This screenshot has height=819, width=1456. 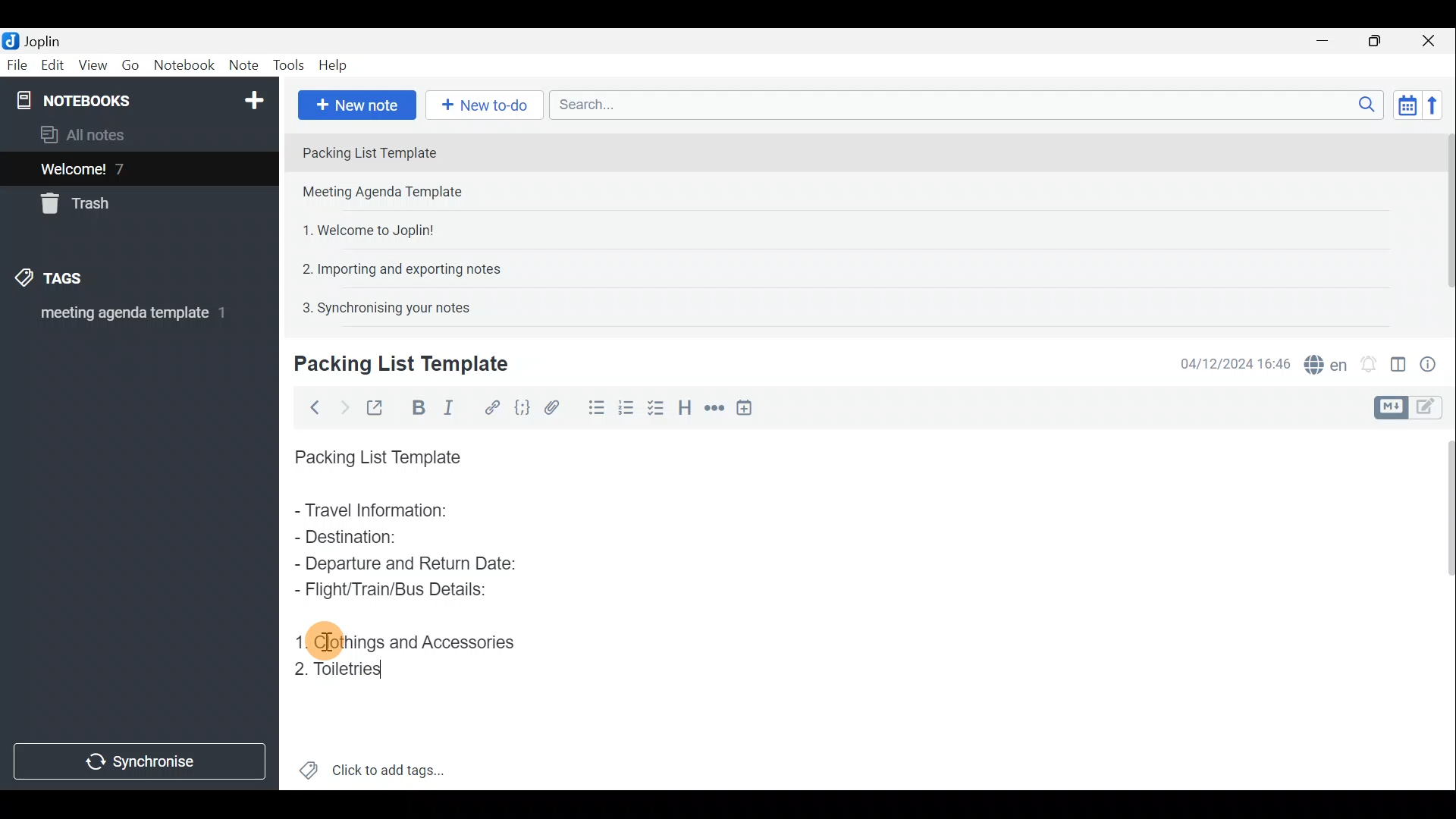 What do you see at coordinates (394, 266) in the screenshot?
I see `Note 4` at bounding box center [394, 266].